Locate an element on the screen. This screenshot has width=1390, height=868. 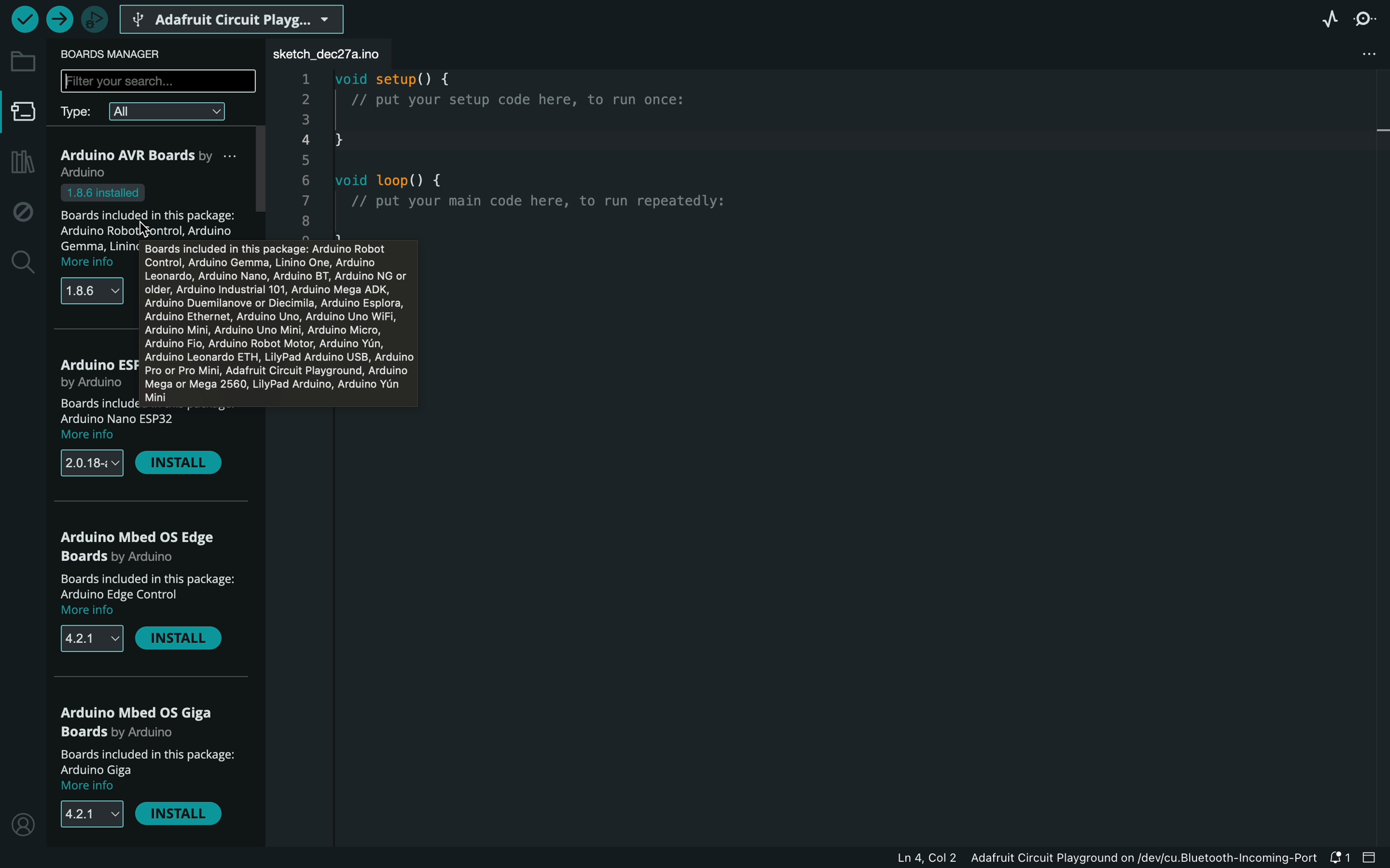
Giga bards is located at coordinates (140, 721).